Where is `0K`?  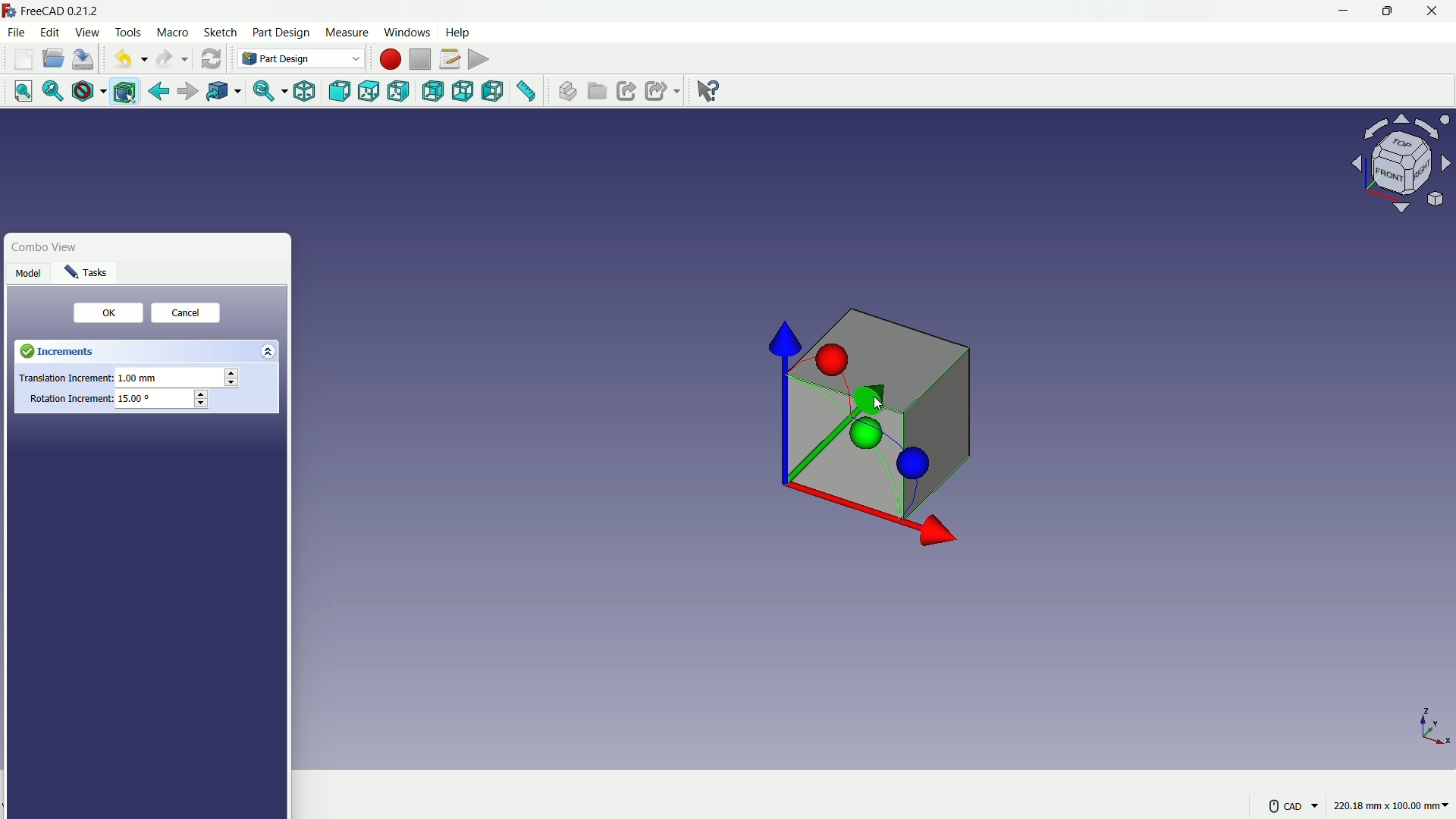 0K is located at coordinates (109, 312).